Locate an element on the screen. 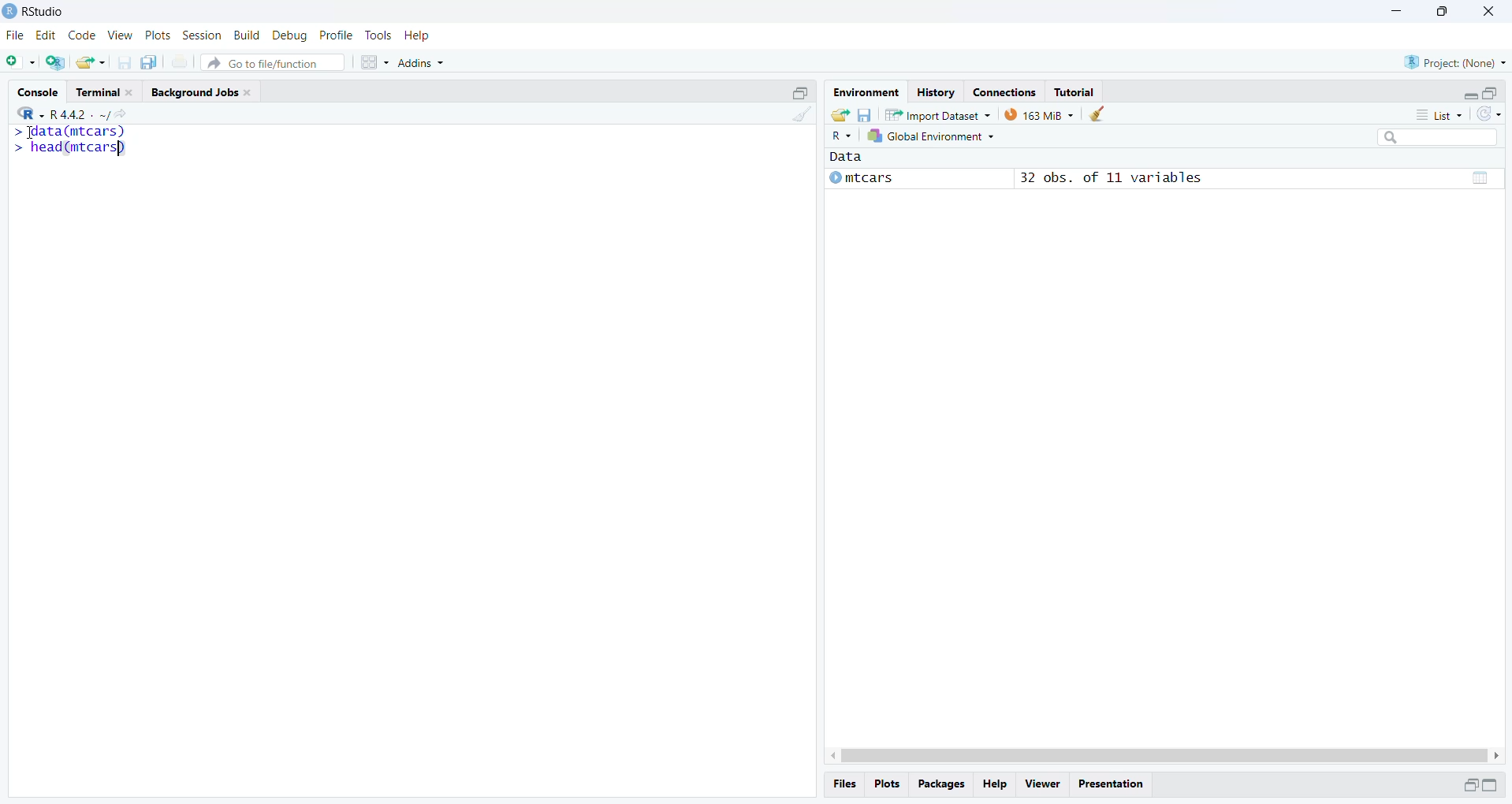 The image size is (1512, 804). open in separate window is located at coordinates (802, 93).